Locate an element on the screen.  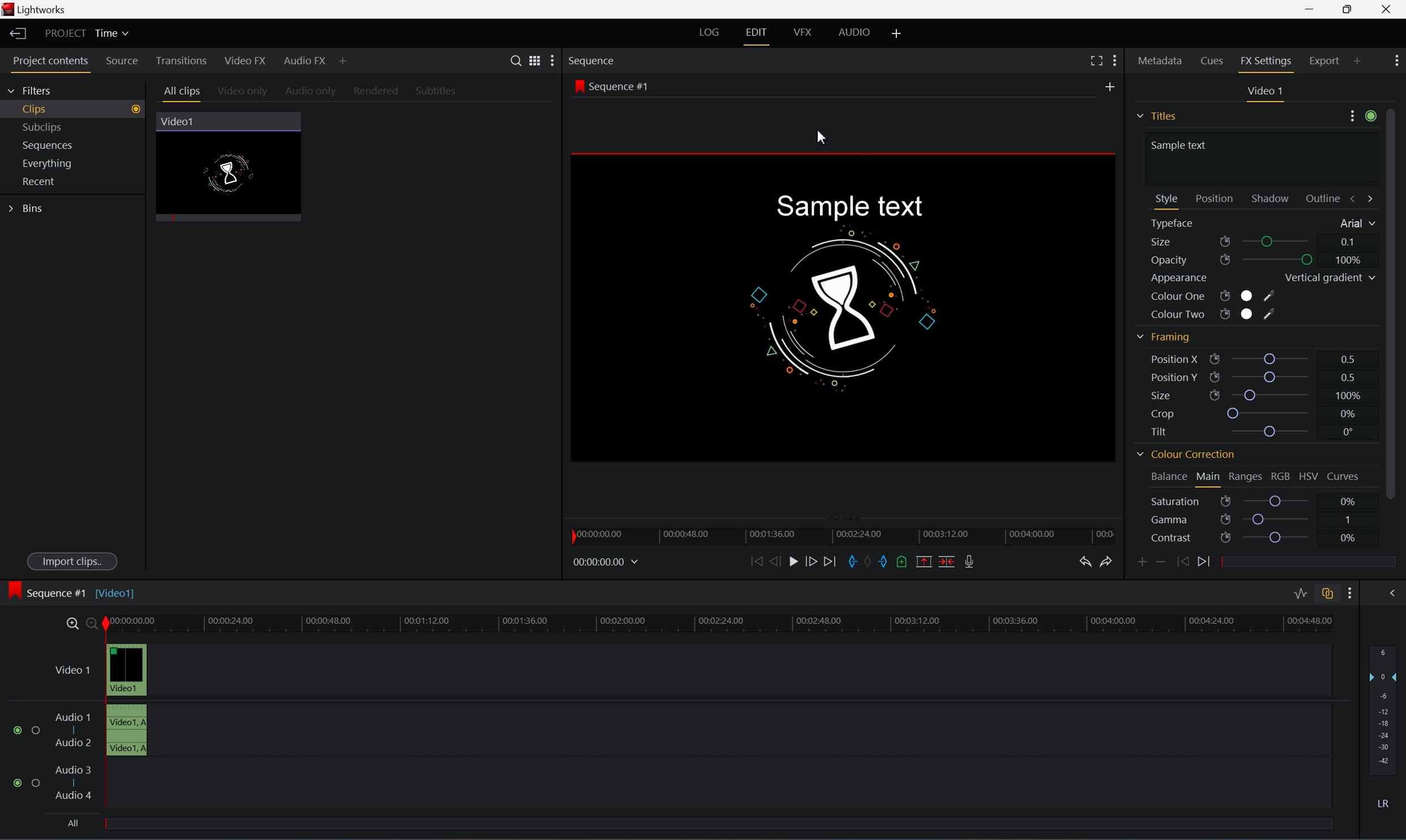
shadow is located at coordinates (1273, 198).